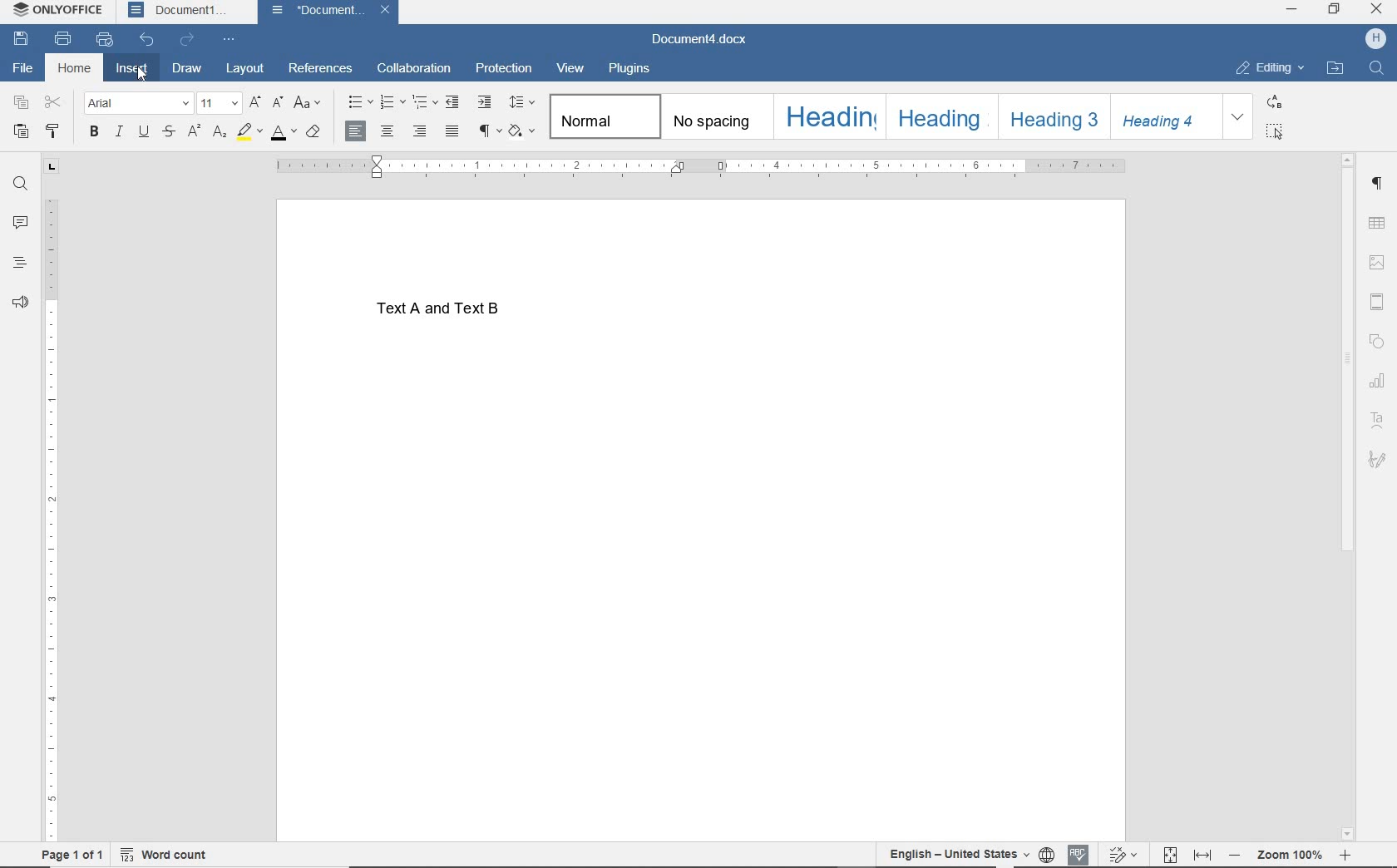  I want to click on HP, so click(1375, 40).